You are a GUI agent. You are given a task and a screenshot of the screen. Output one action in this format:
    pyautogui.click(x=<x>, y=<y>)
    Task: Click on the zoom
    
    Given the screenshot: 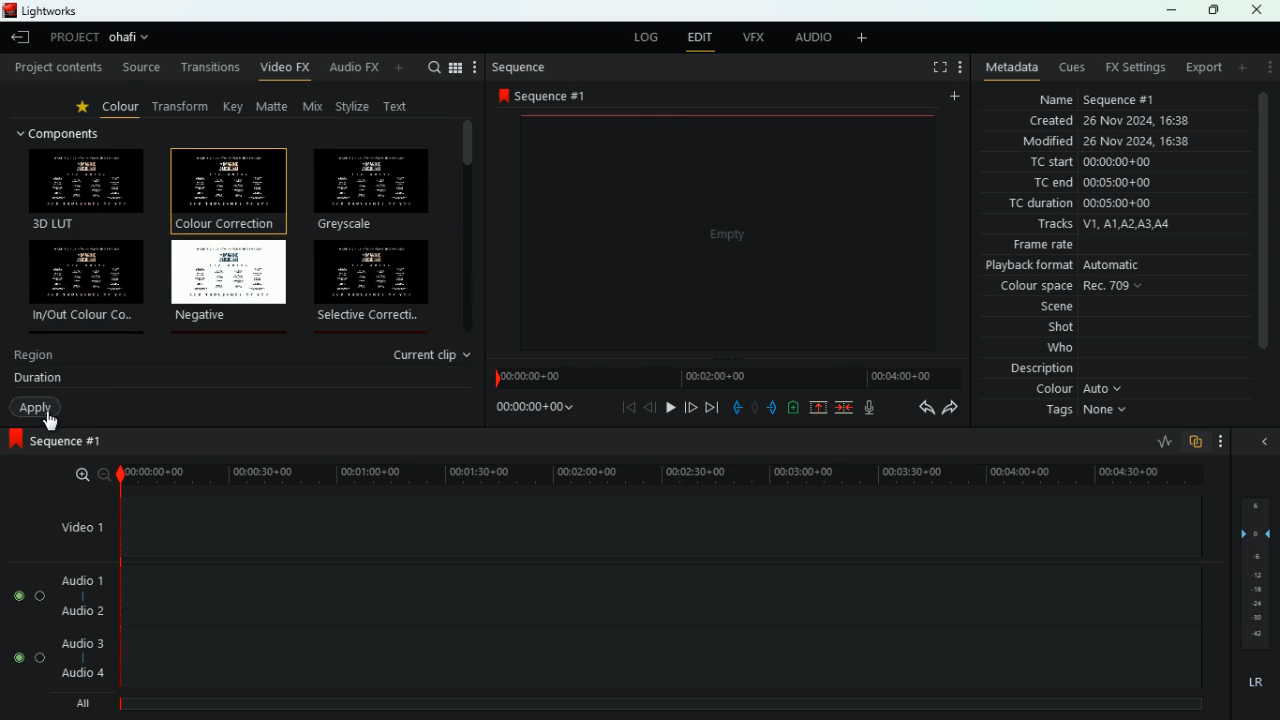 What is the action you would take?
    pyautogui.click(x=78, y=475)
    